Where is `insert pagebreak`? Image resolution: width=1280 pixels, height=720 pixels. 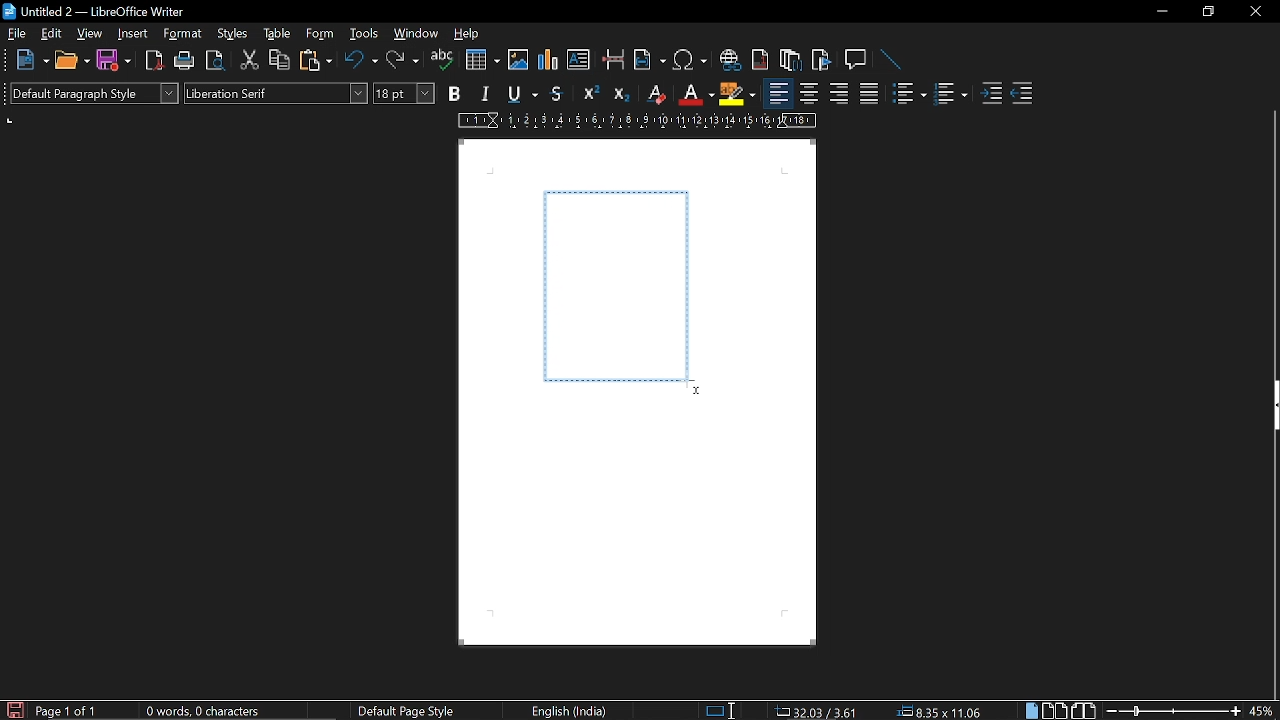 insert pagebreak is located at coordinates (614, 62).